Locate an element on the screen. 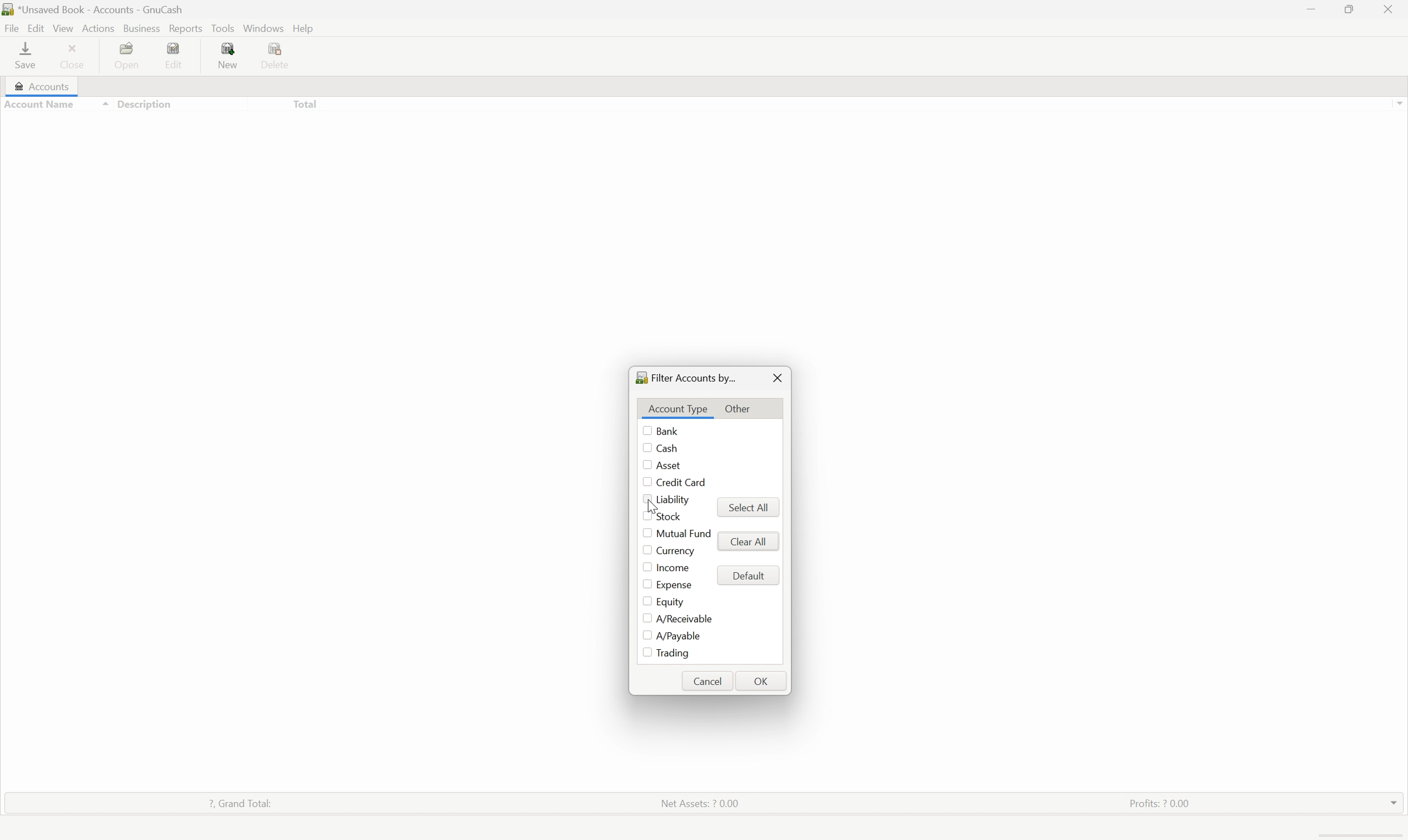  Tools is located at coordinates (222, 28).